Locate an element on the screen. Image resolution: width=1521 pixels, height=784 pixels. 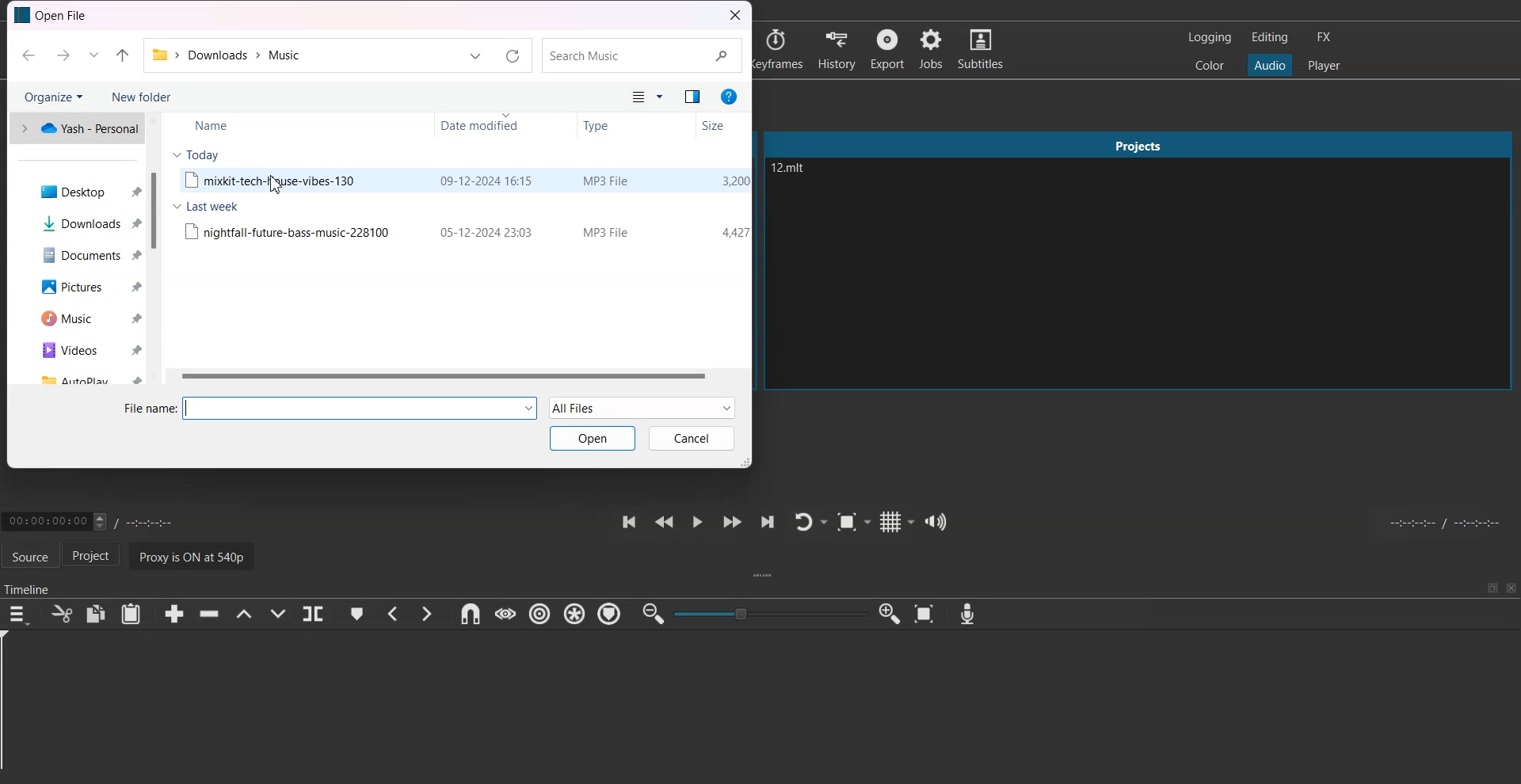
Ripple marketers is located at coordinates (610, 615).